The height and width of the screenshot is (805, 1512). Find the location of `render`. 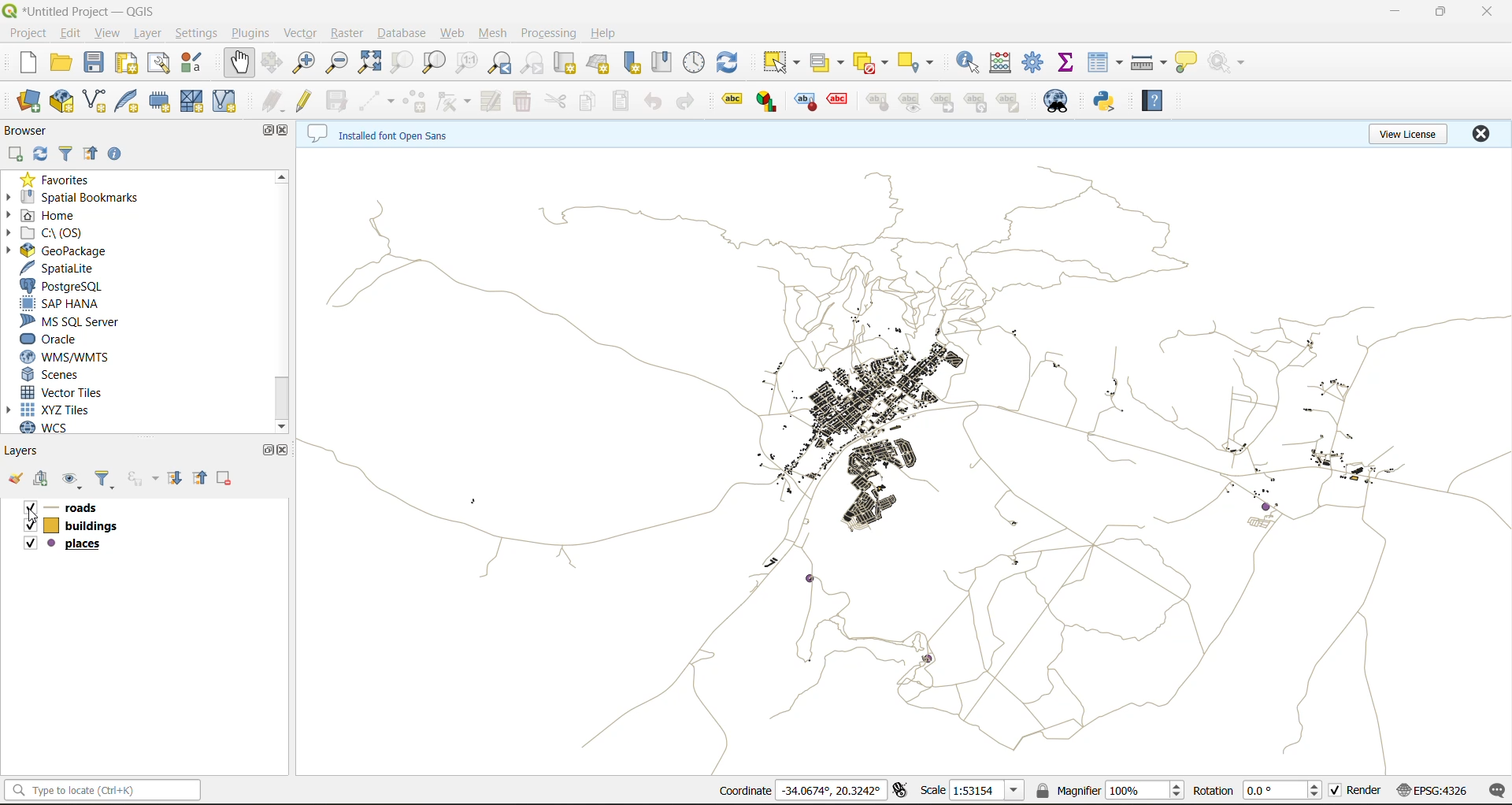

render is located at coordinates (1355, 791).